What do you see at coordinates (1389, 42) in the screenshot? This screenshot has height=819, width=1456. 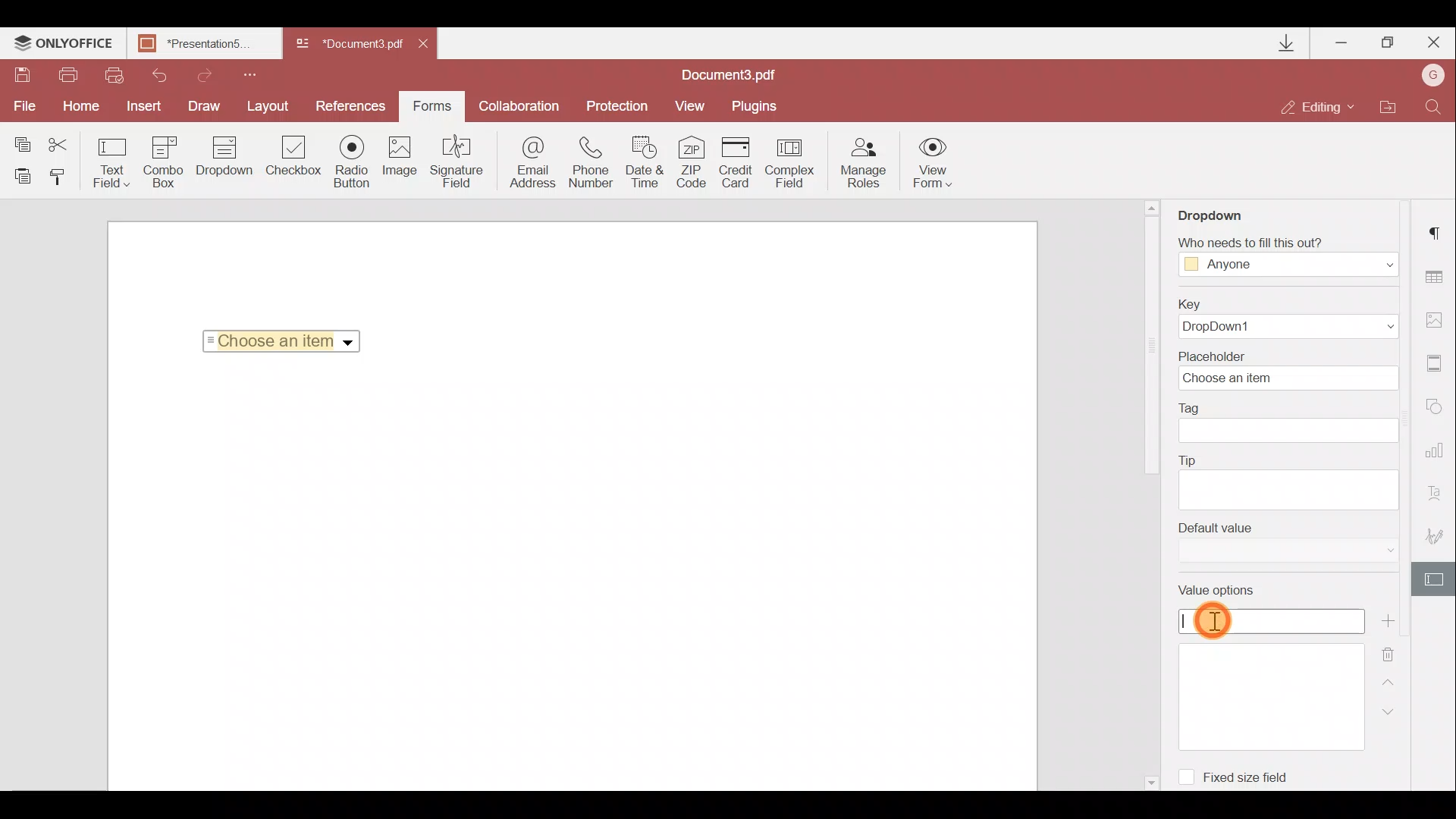 I see `Maximize` at bounding box center [1389, 42].